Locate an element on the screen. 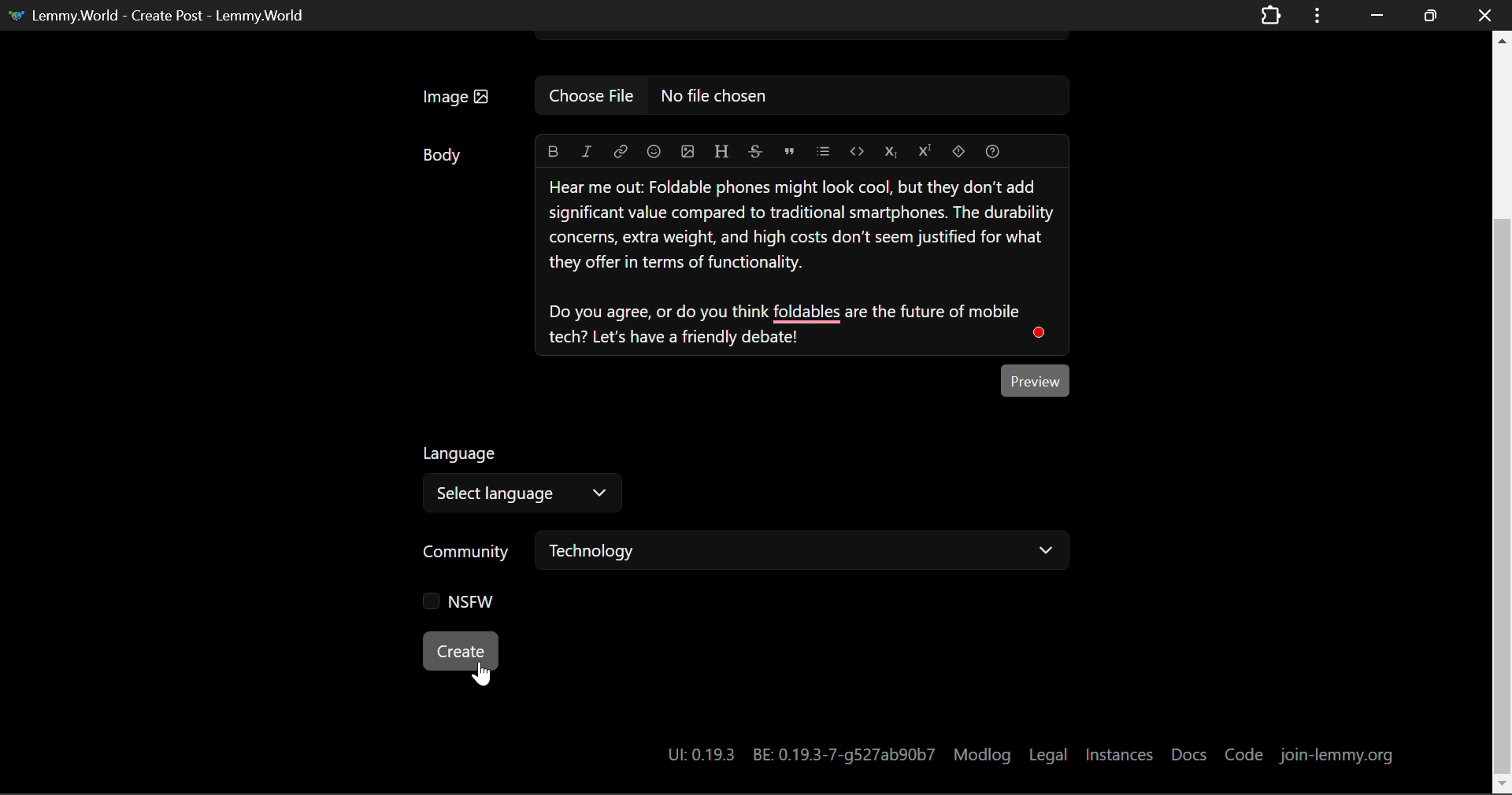 The image size is (1512, 795). Minimize Window is located at coordinates (1432, 15).